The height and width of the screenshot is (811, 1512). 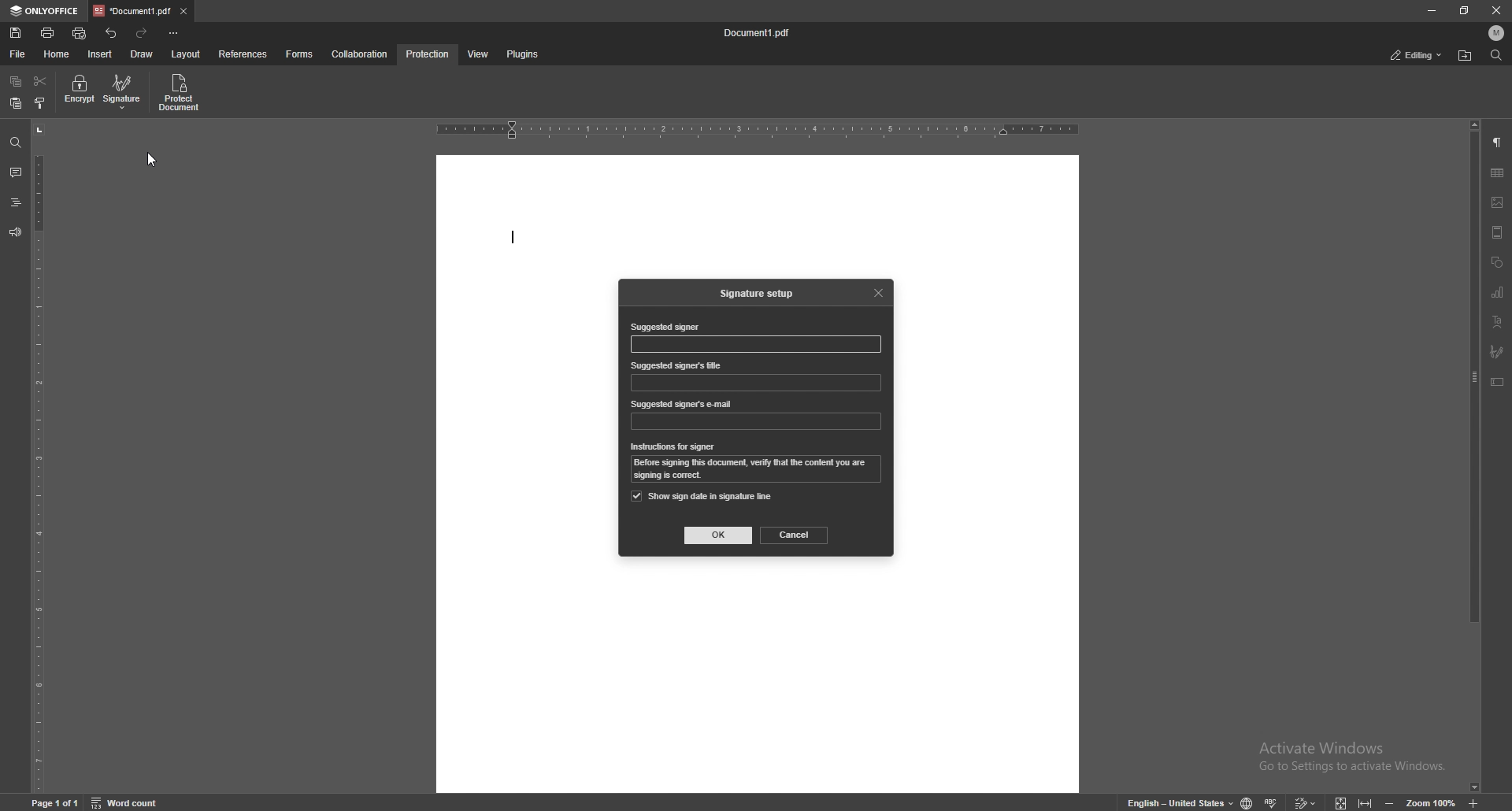 I want to click on home, so click(x=59, y=54).